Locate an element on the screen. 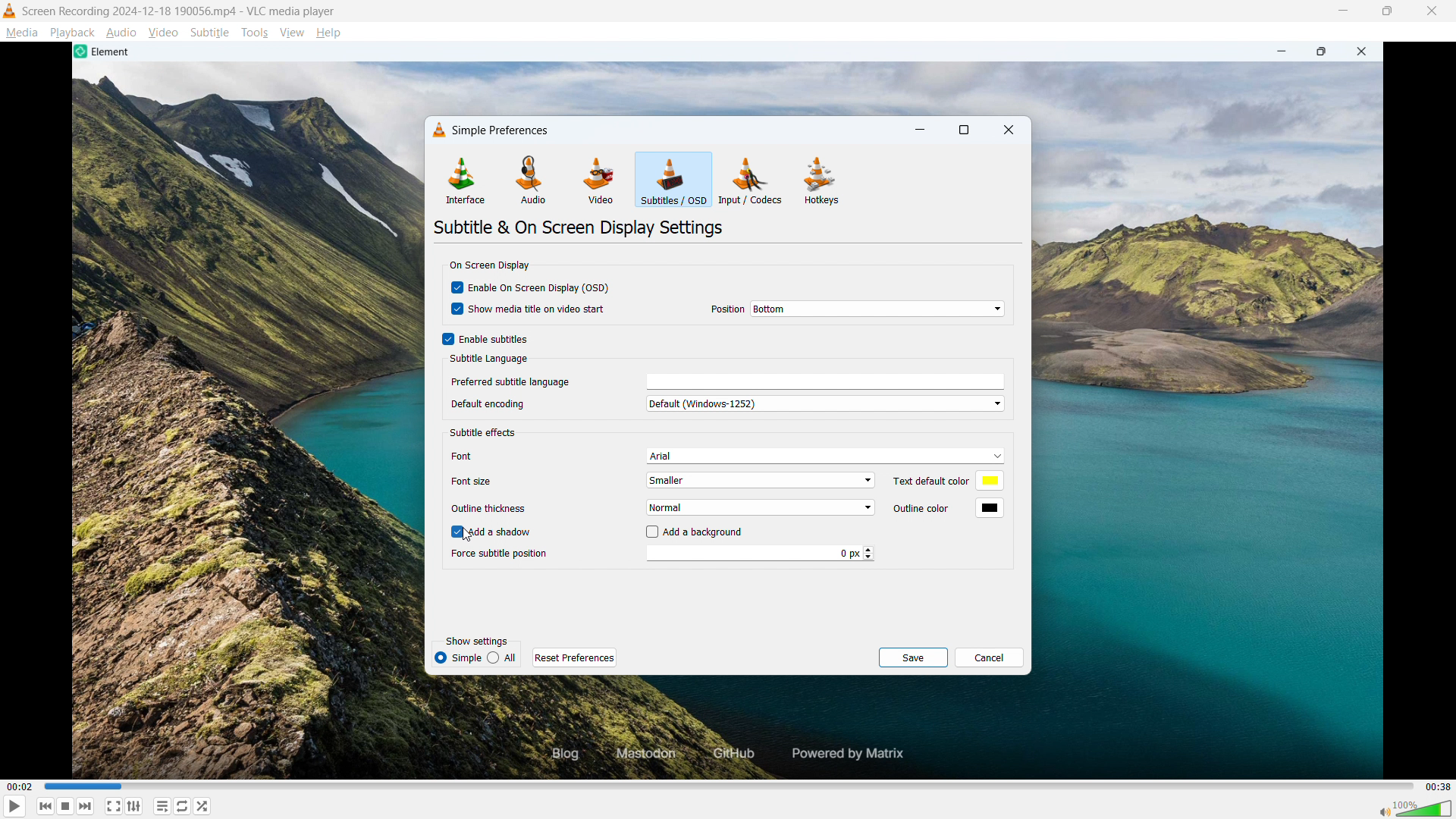 The image size is (1456, 819). Subtitle language  is located at coordinates (489, 359).